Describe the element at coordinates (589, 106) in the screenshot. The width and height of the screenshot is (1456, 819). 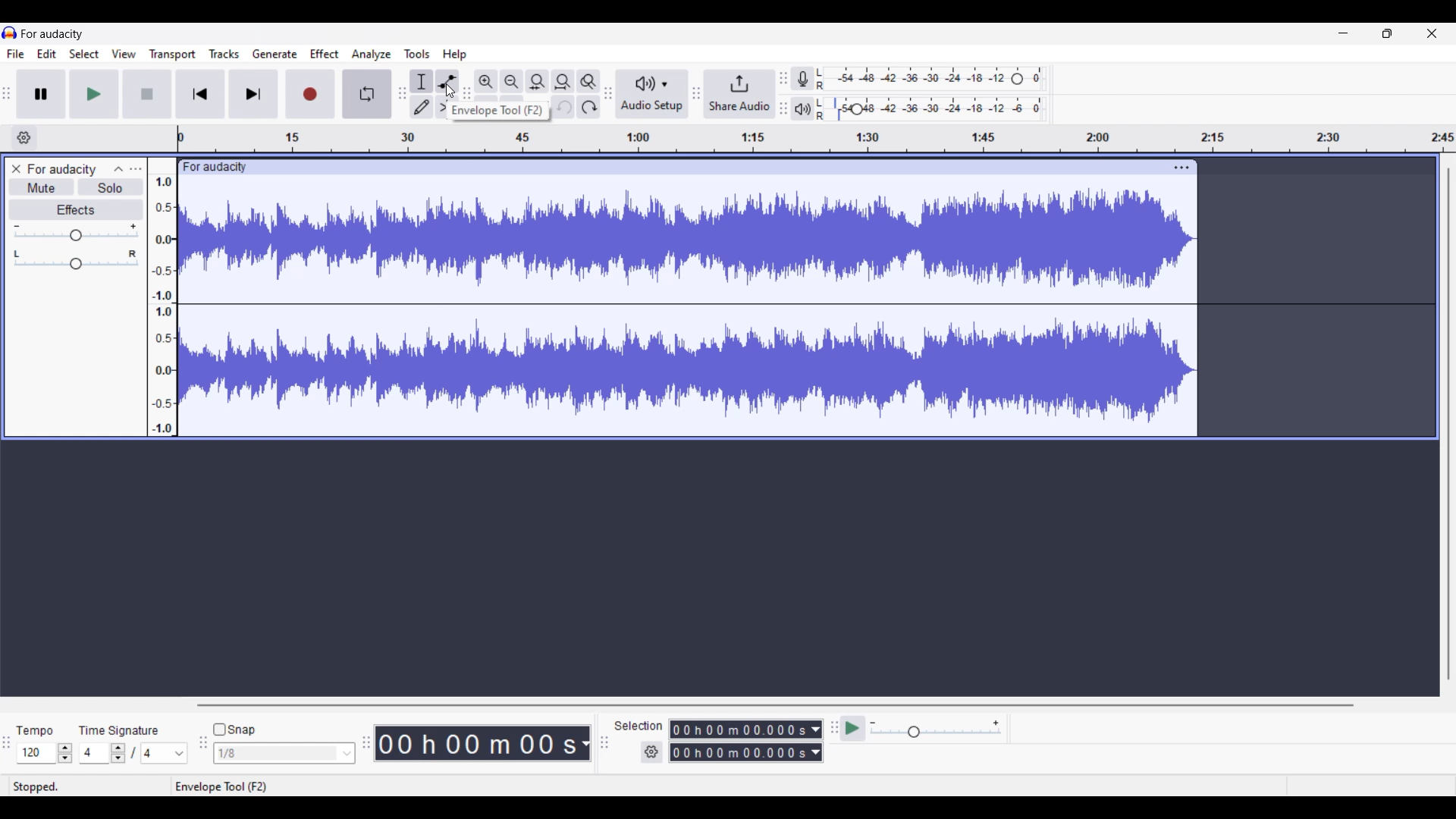
I see `Redo` at that location.